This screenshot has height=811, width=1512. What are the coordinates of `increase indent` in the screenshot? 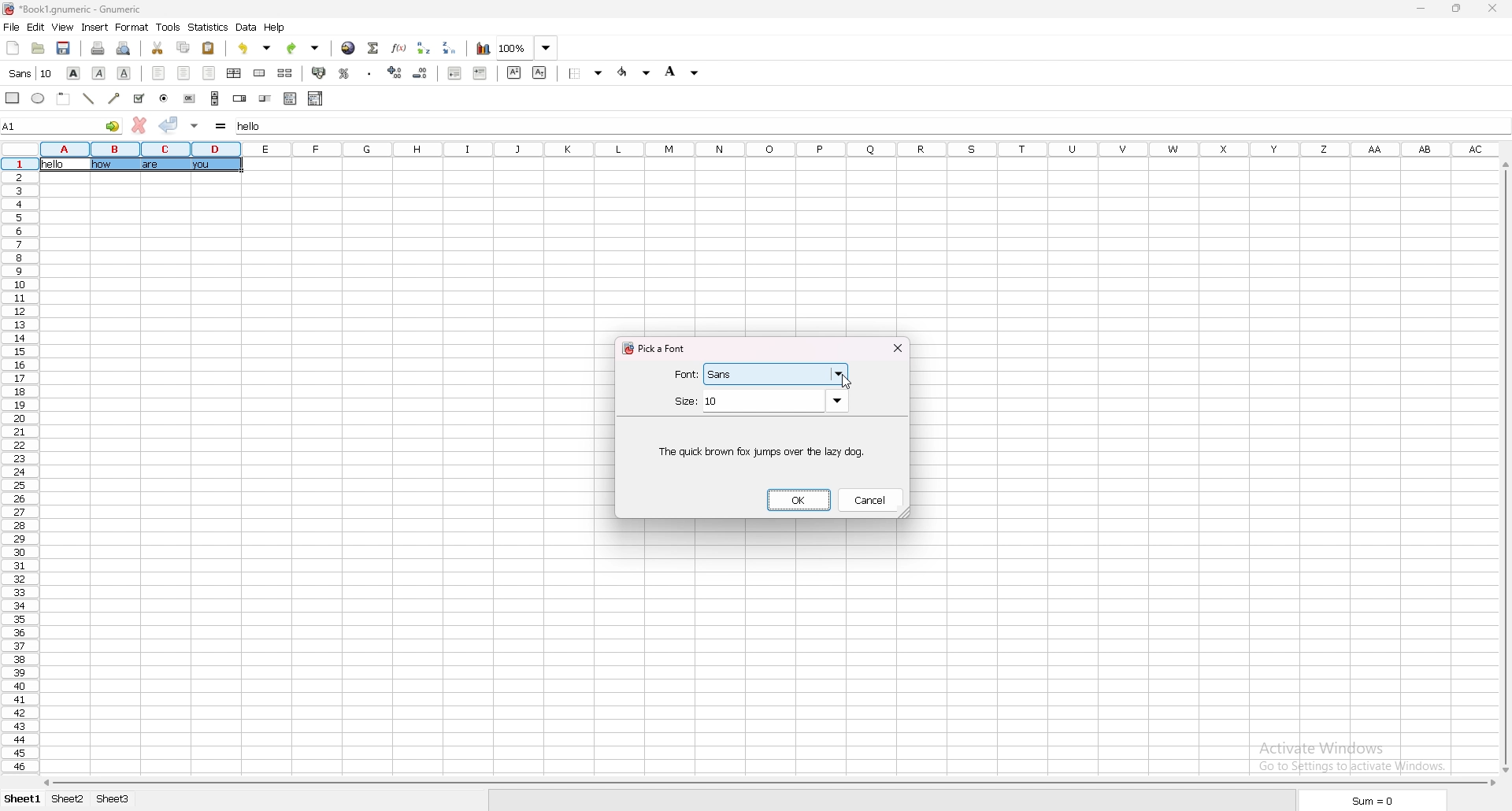 It's located at (480, 74).